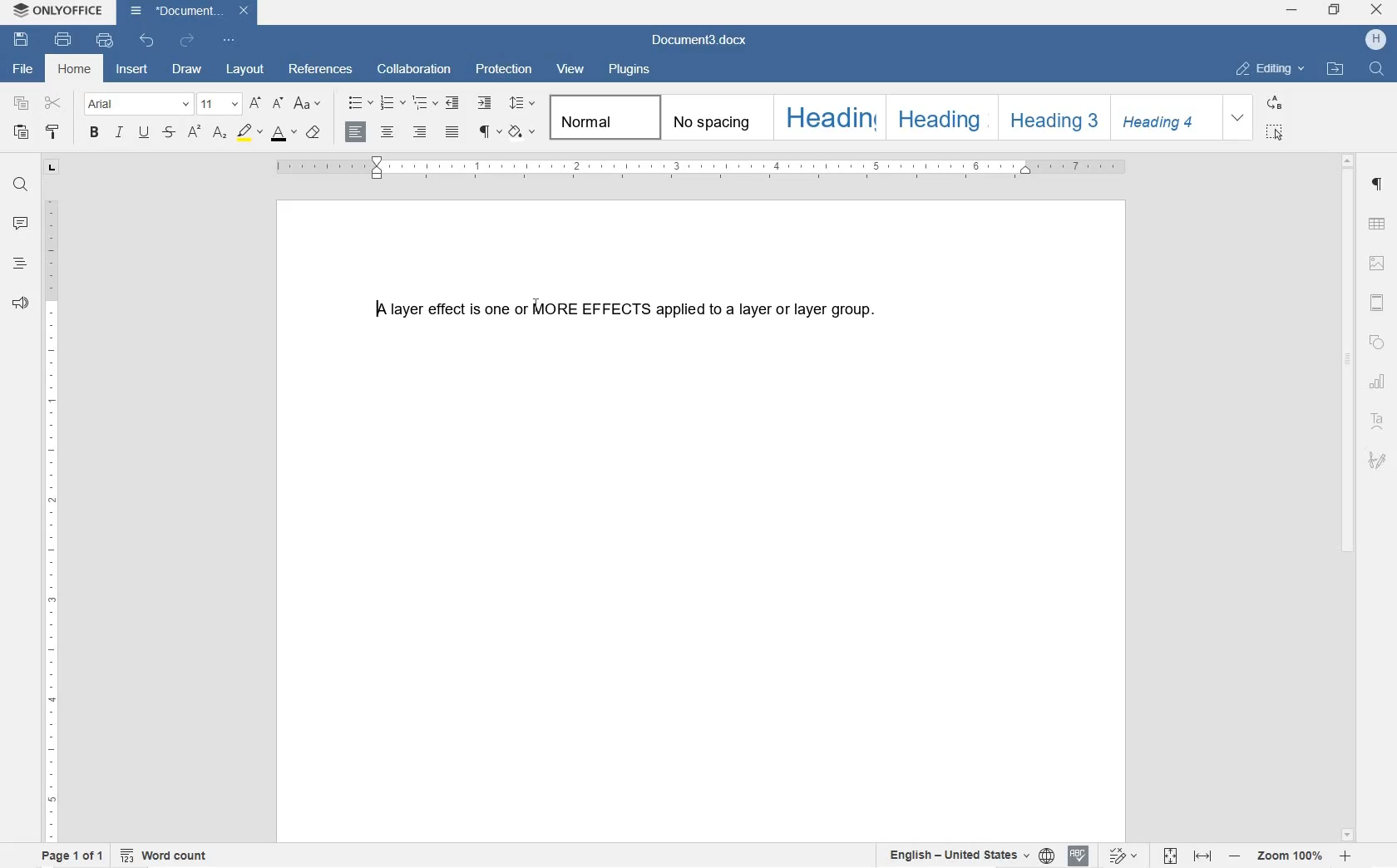 This screenshot has height=868, width=1397. What do you see at coordinates (187, 40) in the screenshot?
I see `REDO` at bounding box center [187, 40].